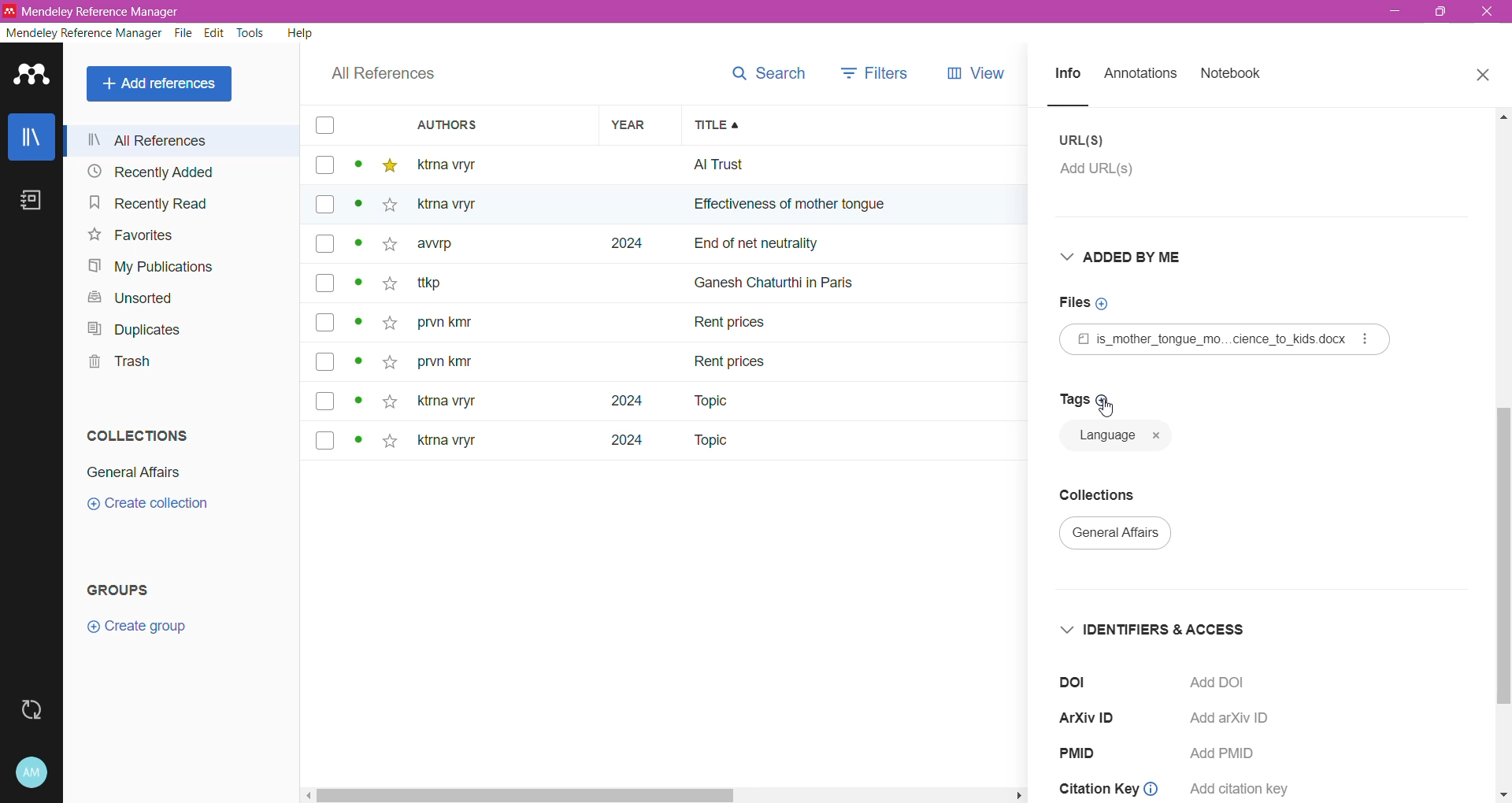 The image size is (1512, 803). What do you see at coordinates (390, 400) in the screenshot?
I see `star` at bounding box center [390, 400].